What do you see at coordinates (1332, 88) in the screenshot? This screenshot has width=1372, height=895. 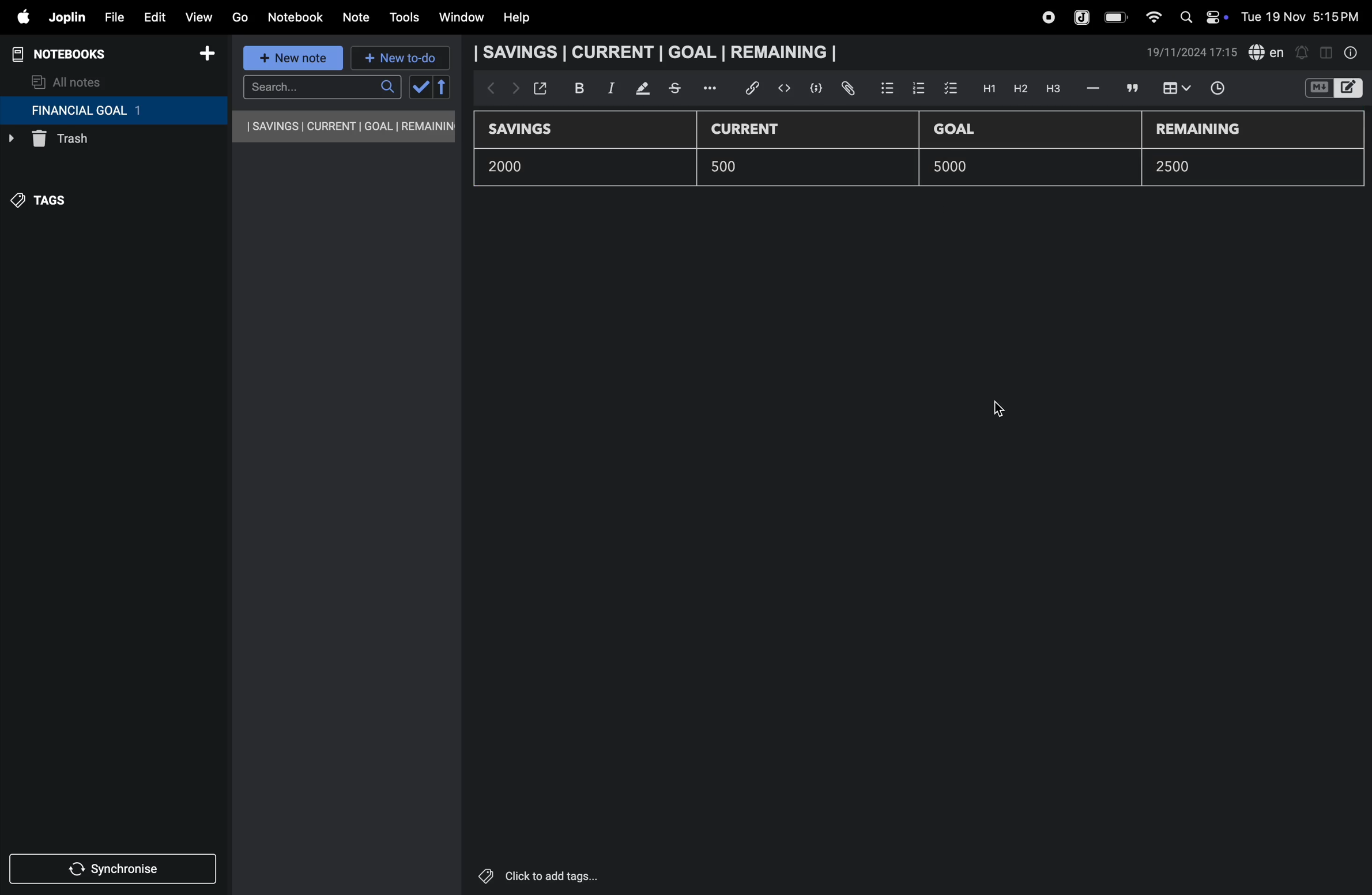 I see `switch editor` at bounding box center [1332, 88].